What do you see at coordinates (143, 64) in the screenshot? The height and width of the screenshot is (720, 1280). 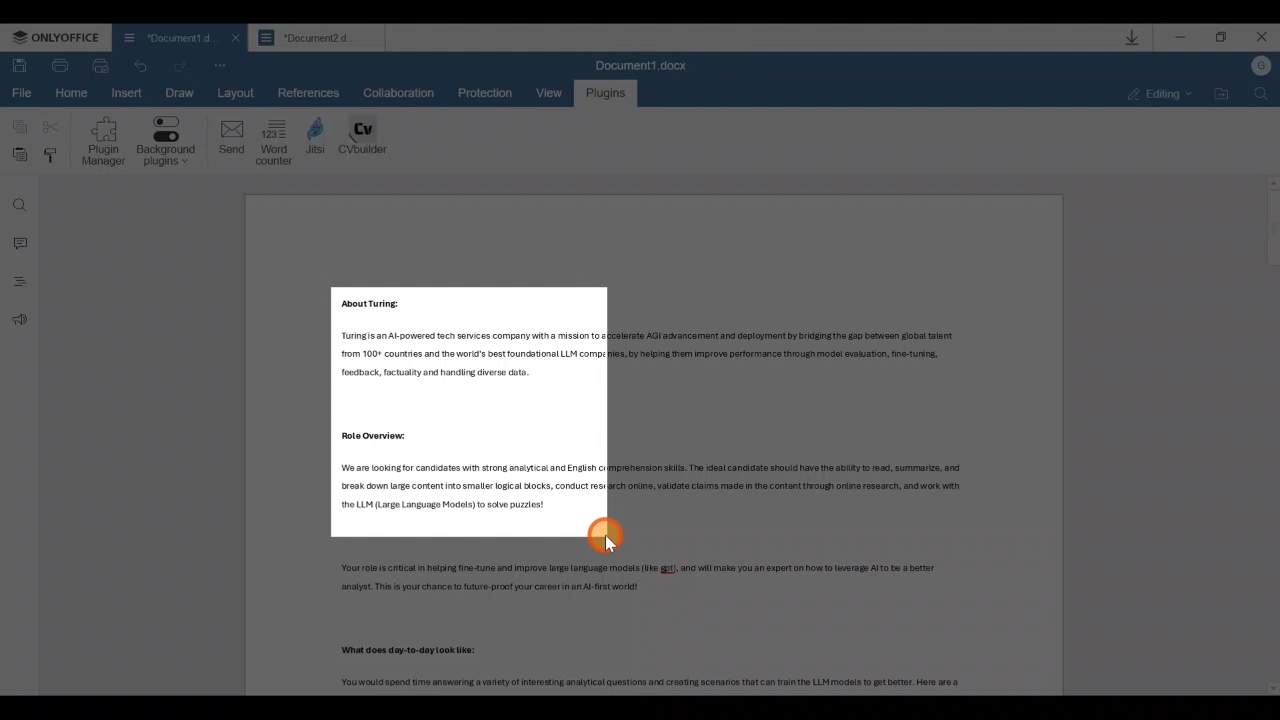 I see `Redo` at bounding box center [143, 64].